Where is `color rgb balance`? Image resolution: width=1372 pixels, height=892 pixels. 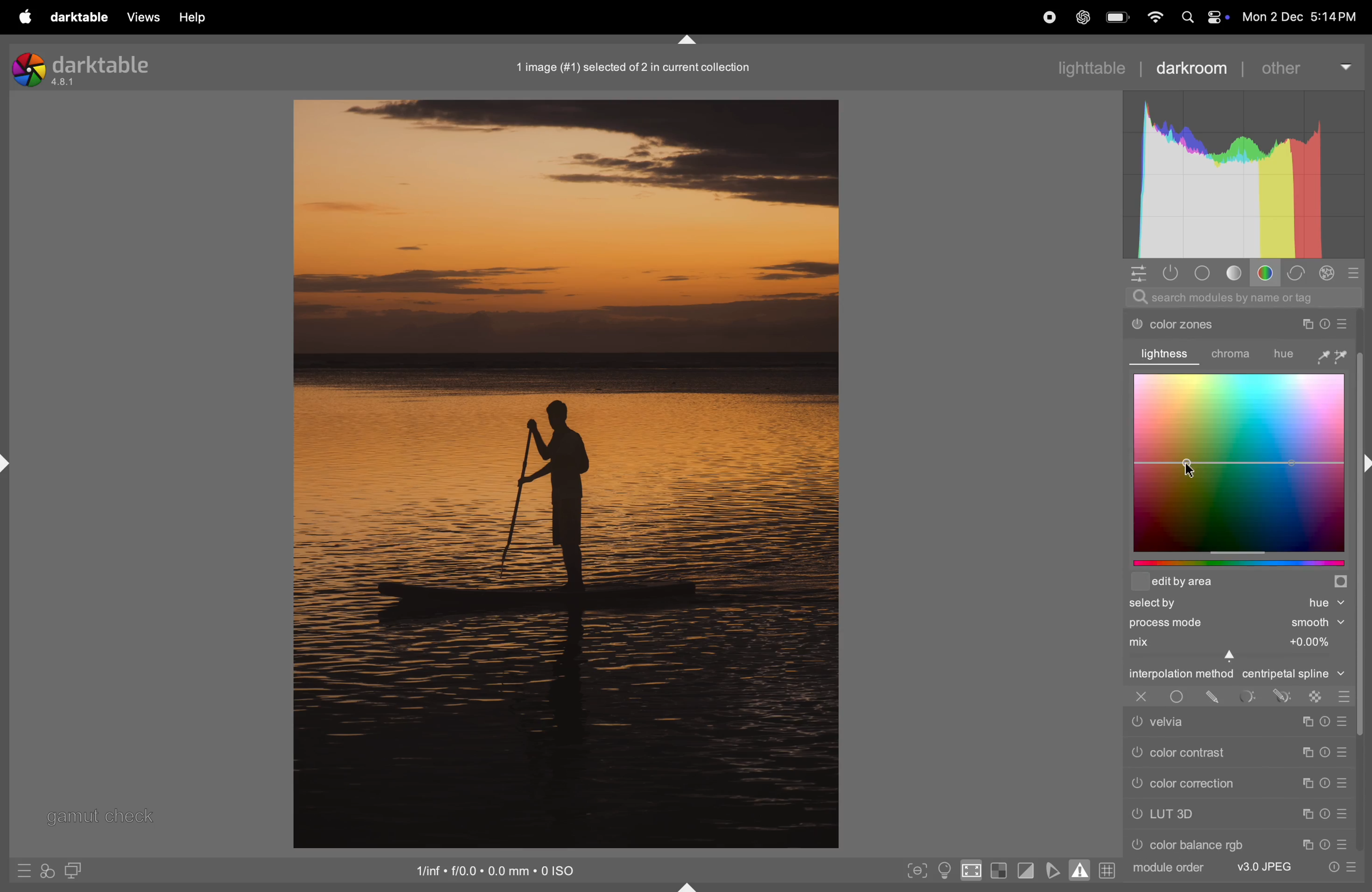
color rgb balance is located at coordinates (1208, 843).